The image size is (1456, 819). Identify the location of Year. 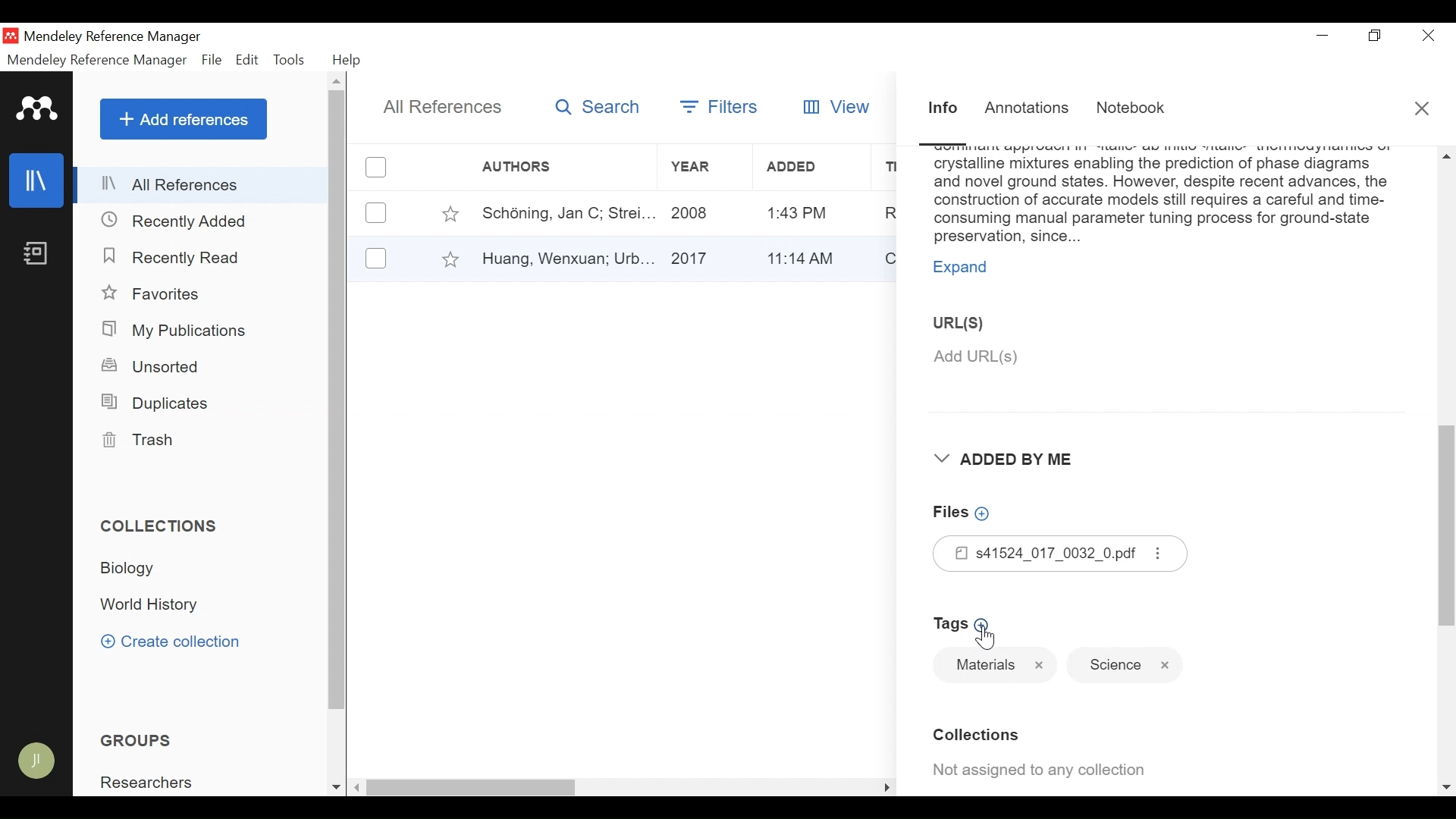
(703, 212).